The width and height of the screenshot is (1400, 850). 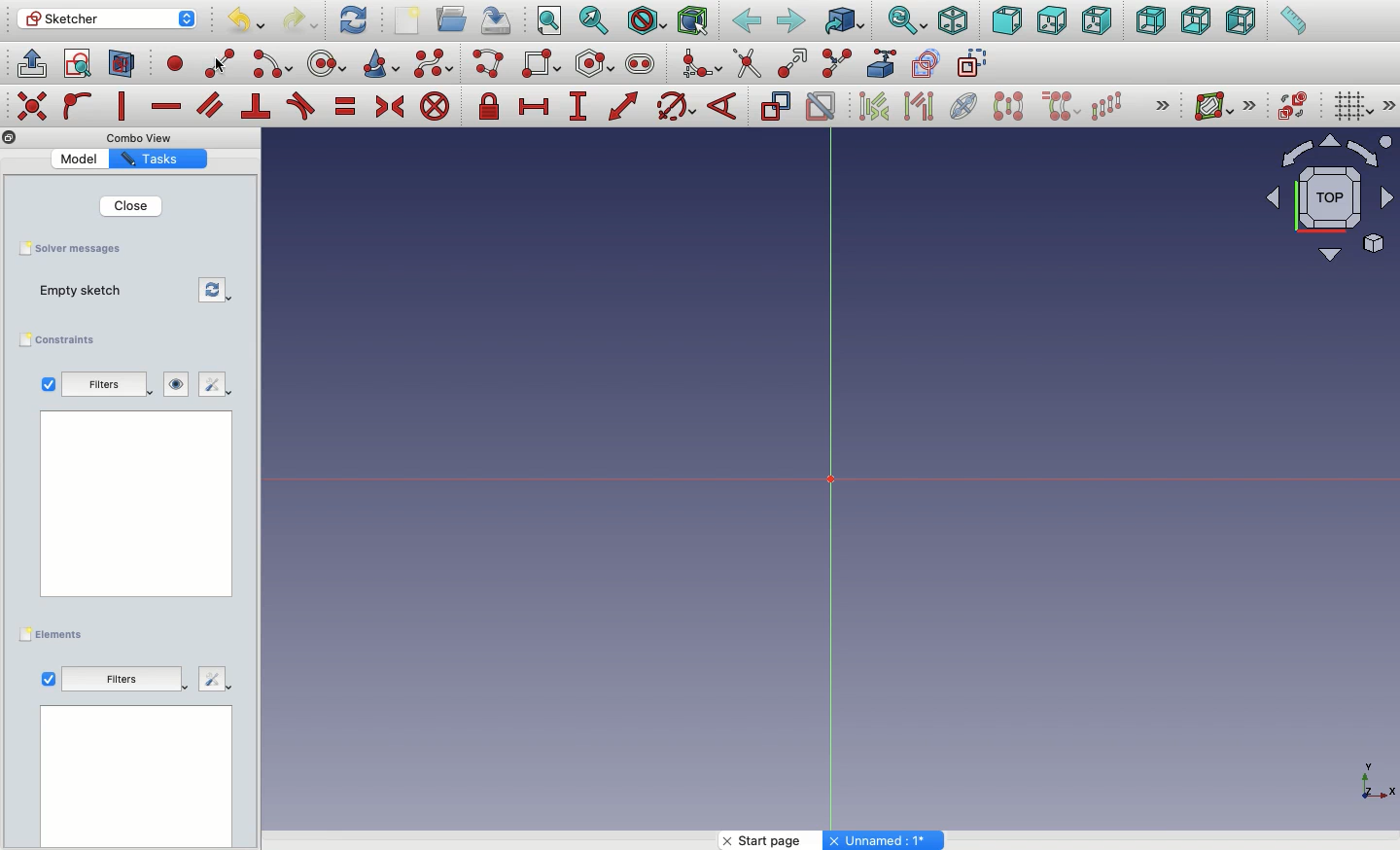 I want to click on Start page, so click(x=772, y=840).